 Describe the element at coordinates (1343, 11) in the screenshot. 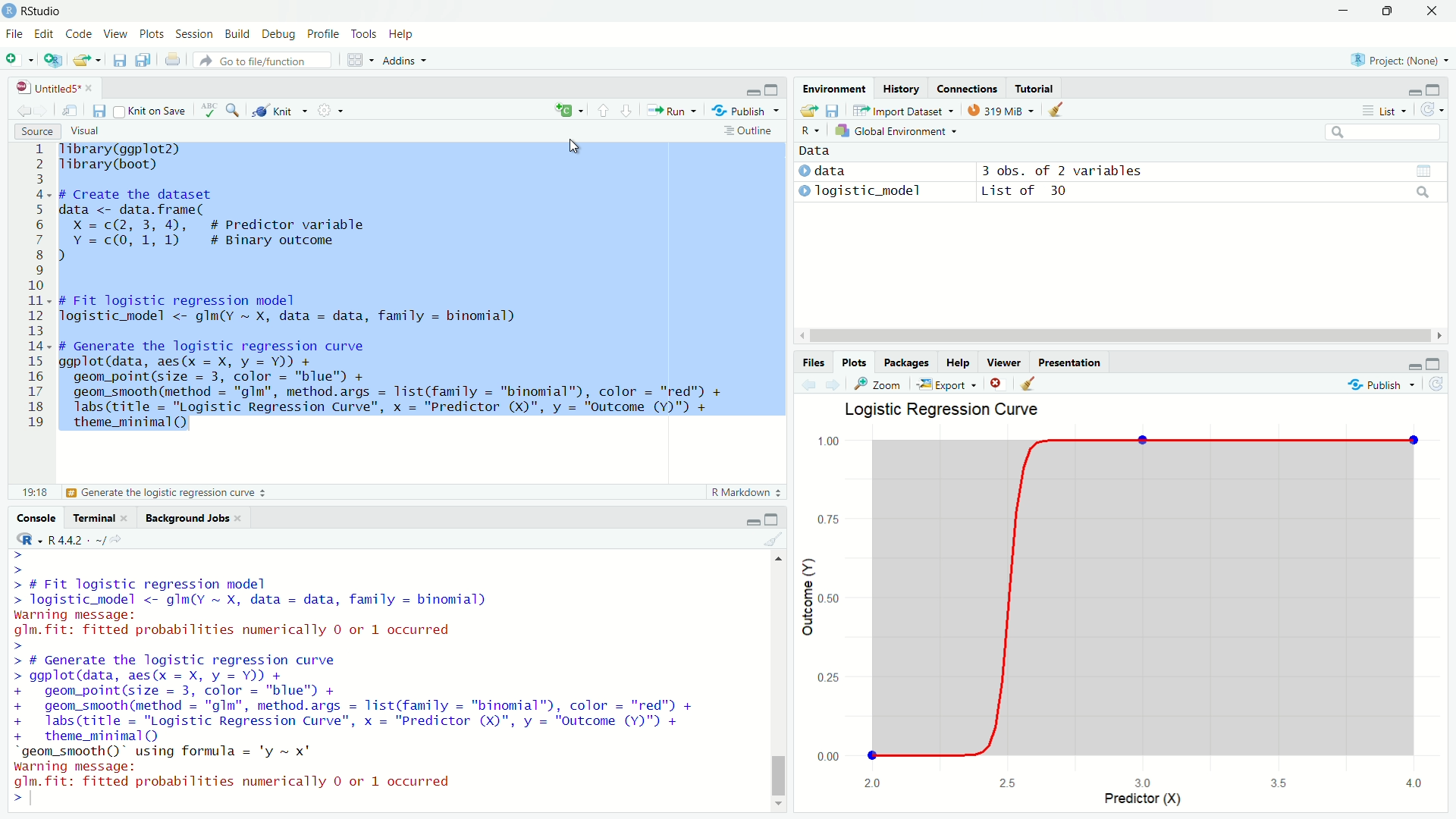

I see `minimize` at that location.